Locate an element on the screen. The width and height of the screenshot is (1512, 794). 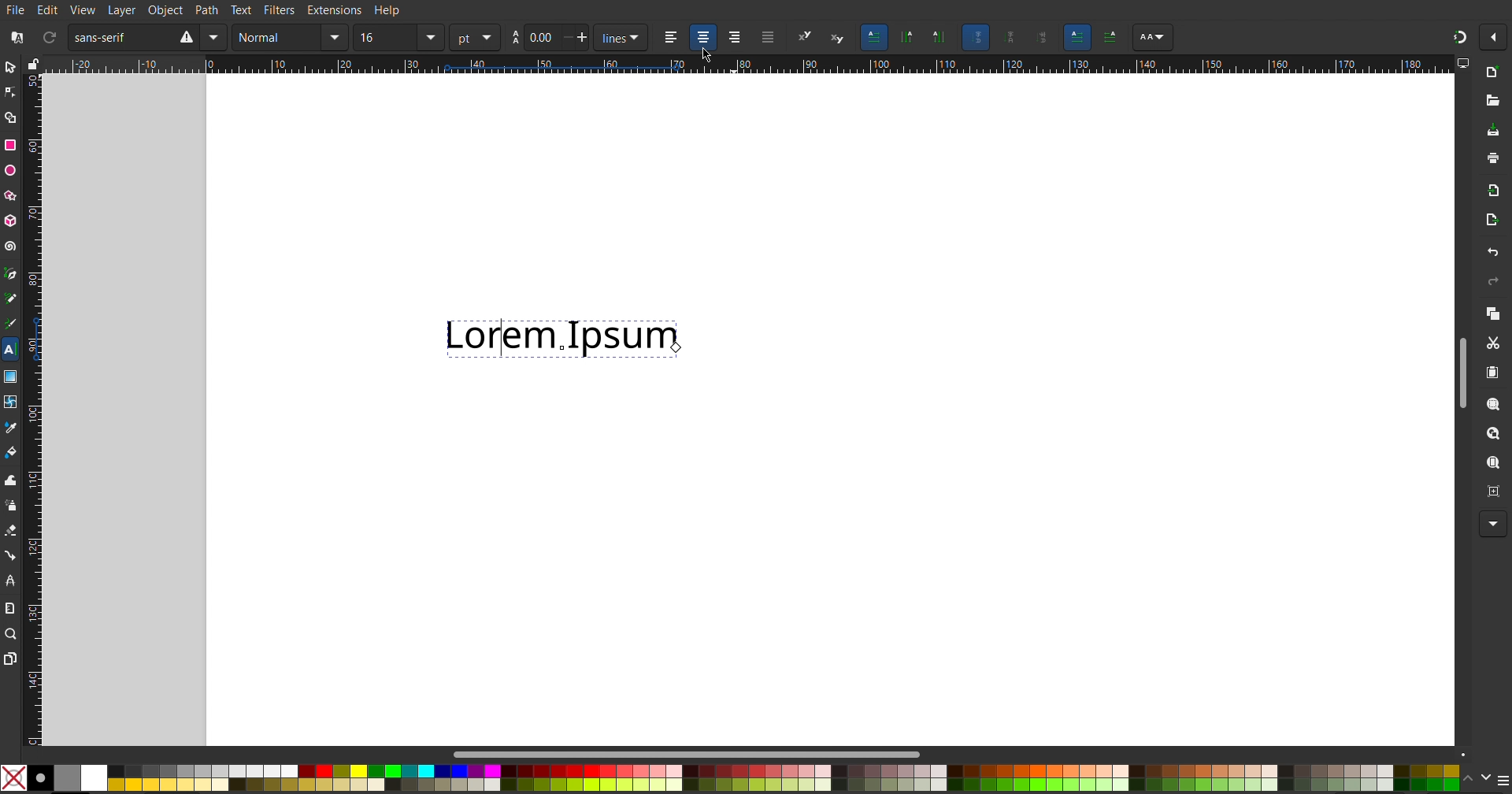
Extensions is located at coordinates (333, 11).